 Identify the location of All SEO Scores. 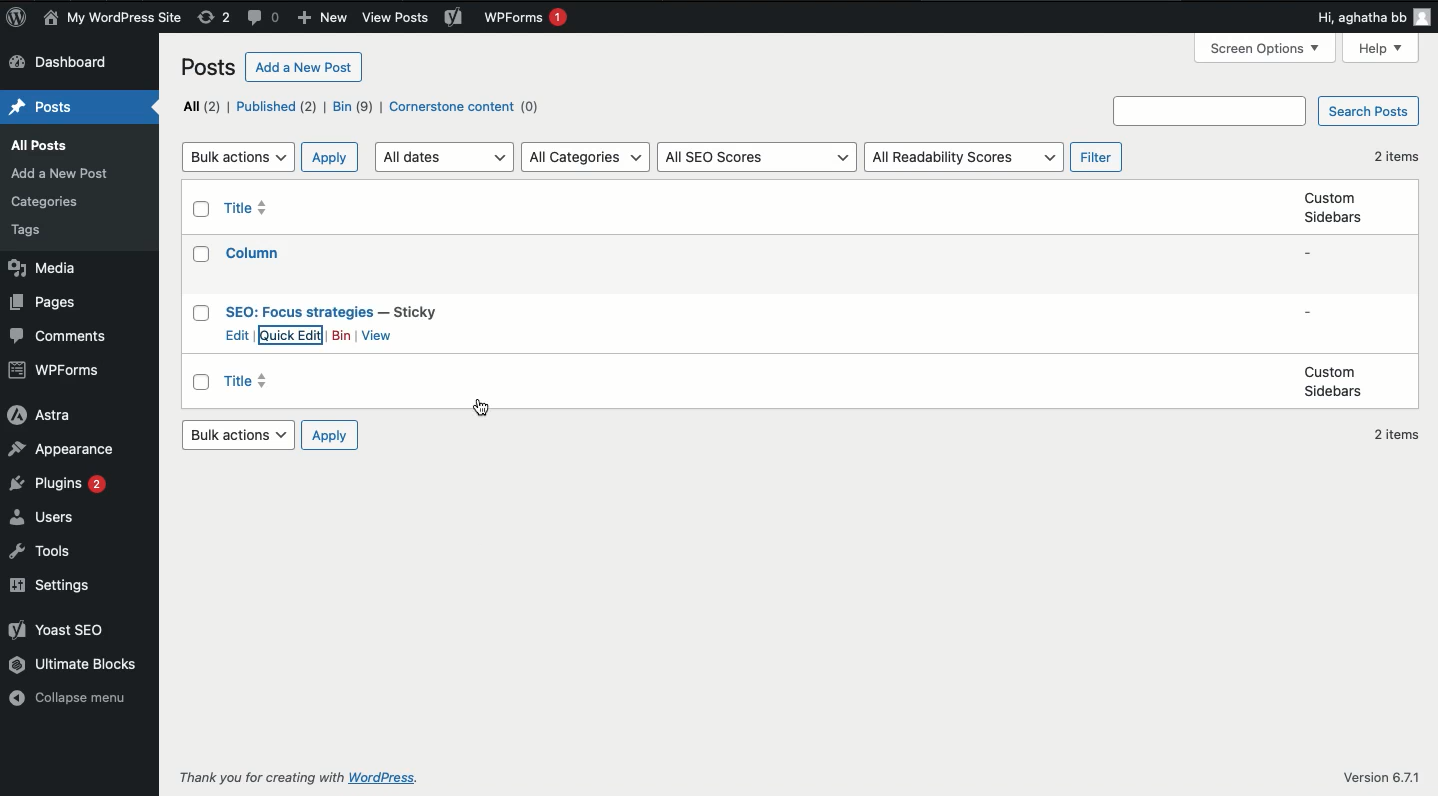
(758, 158).